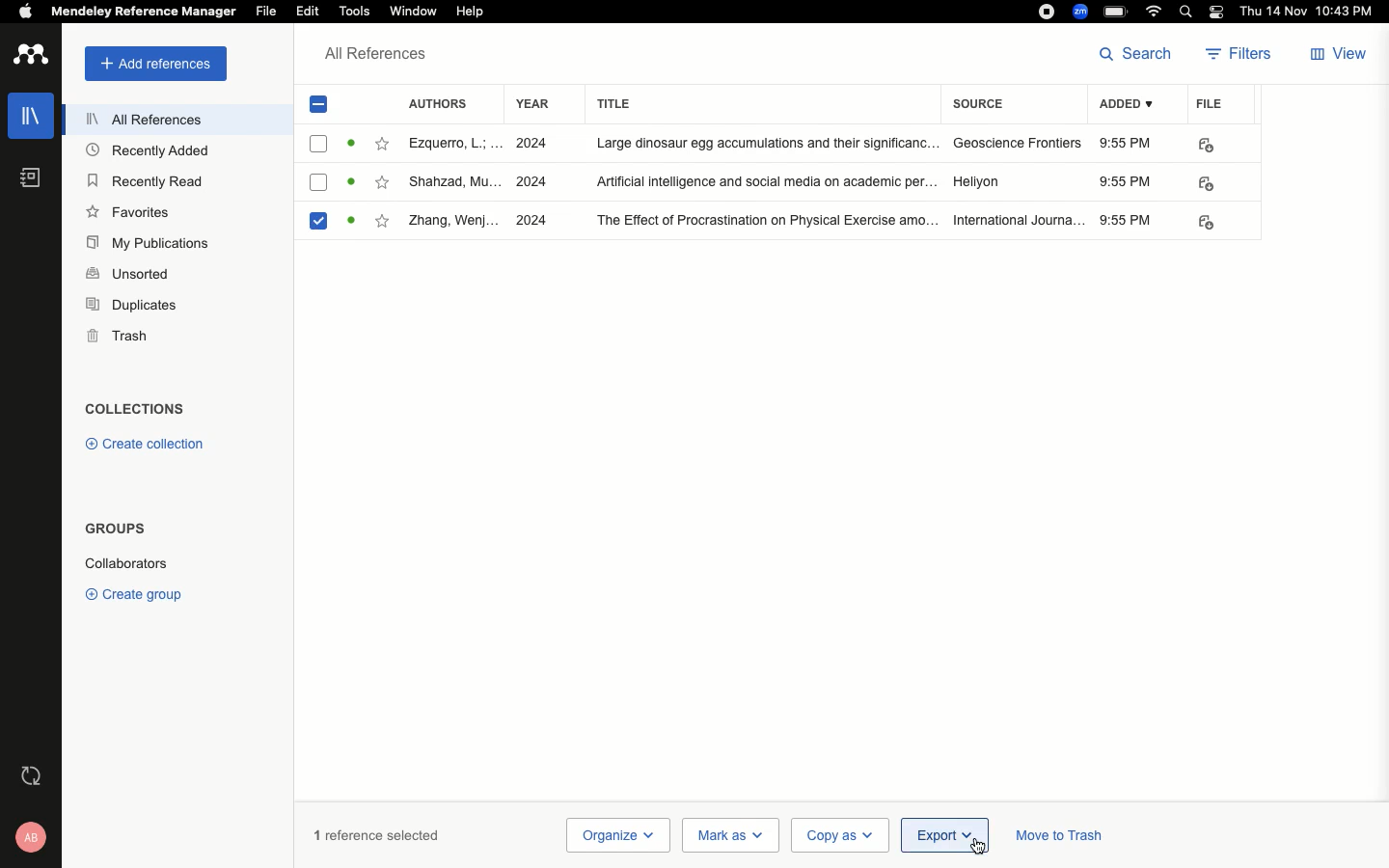 This screenshot has width=1389, height=868. What do you see at coordinates (532, 104) in the screenshot?
I see `Year` at bounding box center [532, 104].